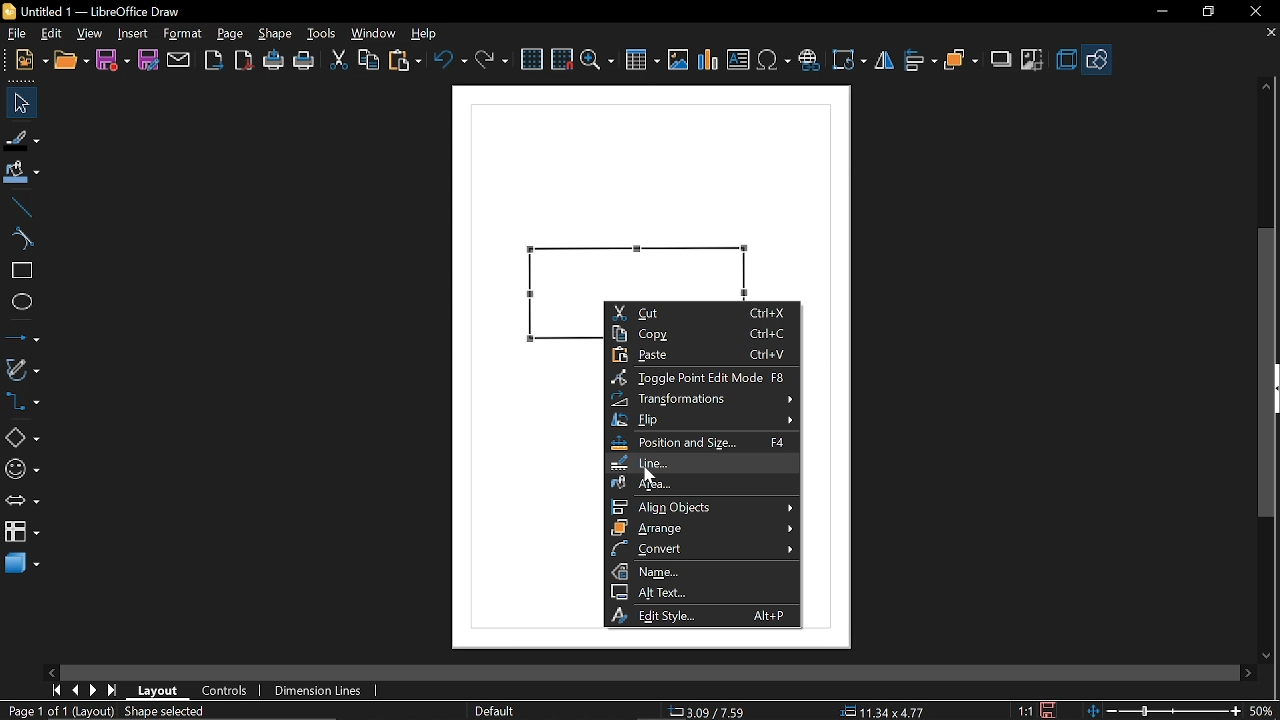 The image size is (1280, 720). What do you see at coordinates (1263, 711) in the screenshot?
I see `current zoom (50%)` at bounding box center [1263, 711].